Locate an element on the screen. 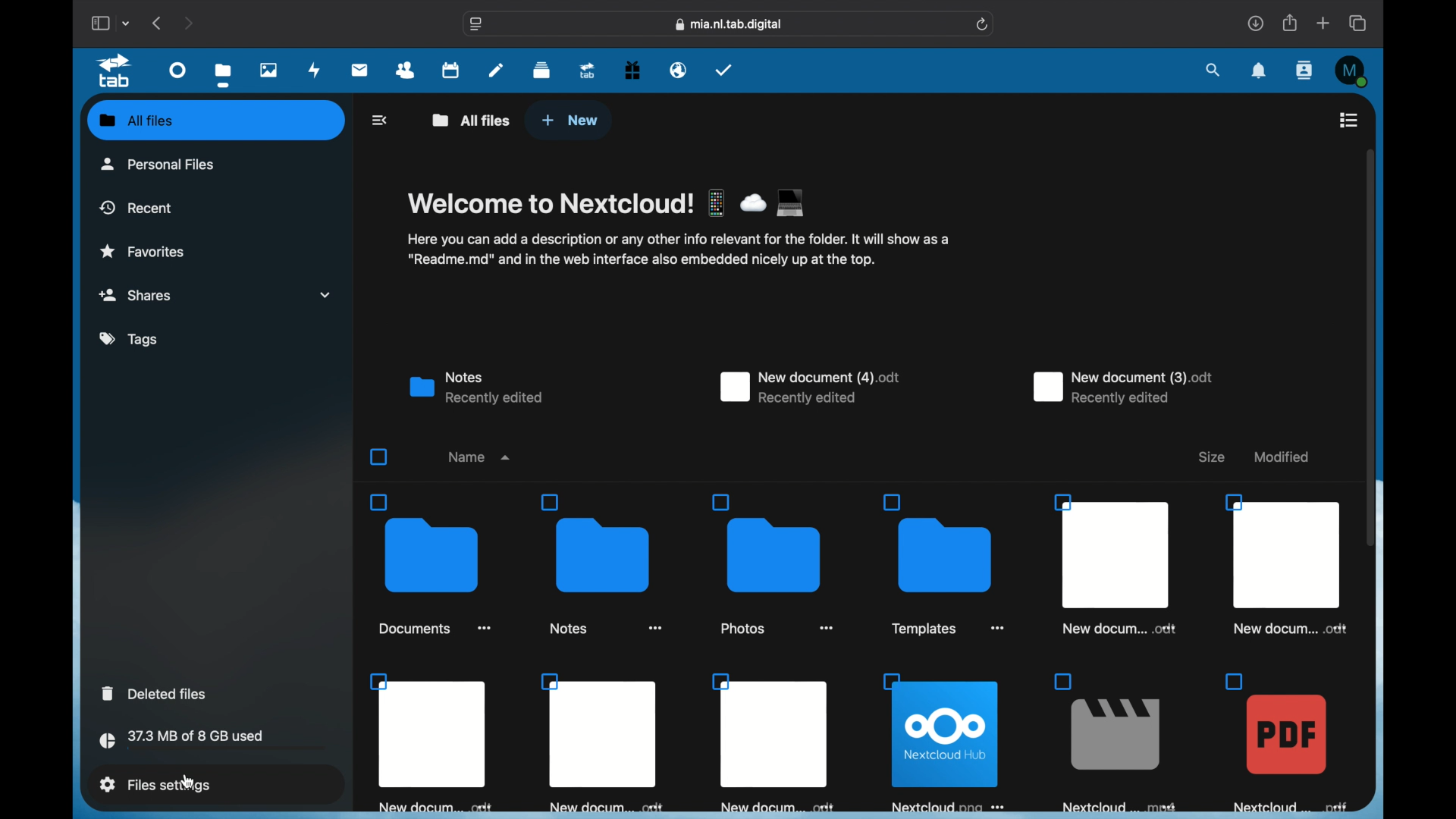  contacts is located at coordinates (1303, 71).